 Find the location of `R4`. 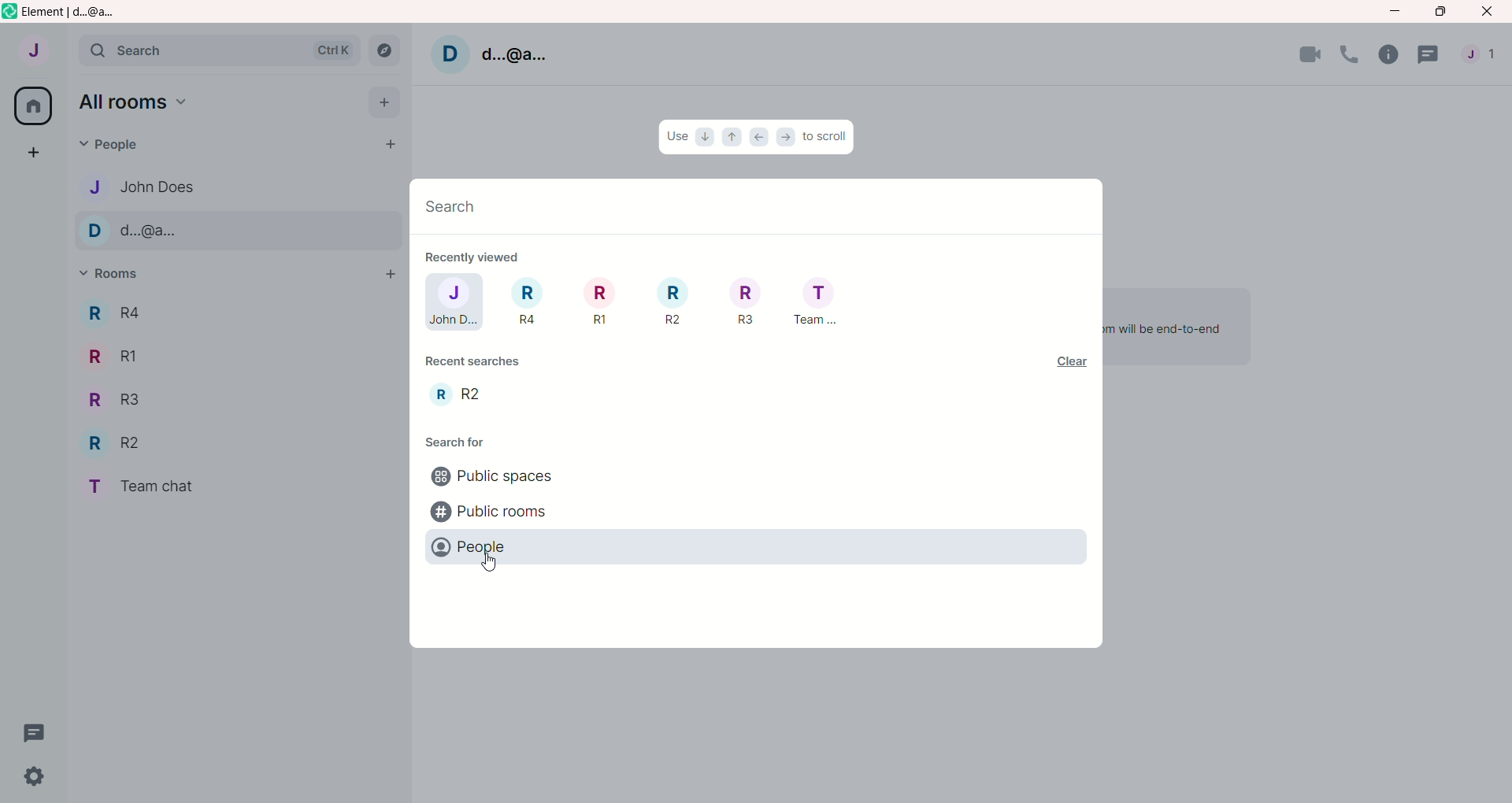

R4 is located at coordinates (110, 313).